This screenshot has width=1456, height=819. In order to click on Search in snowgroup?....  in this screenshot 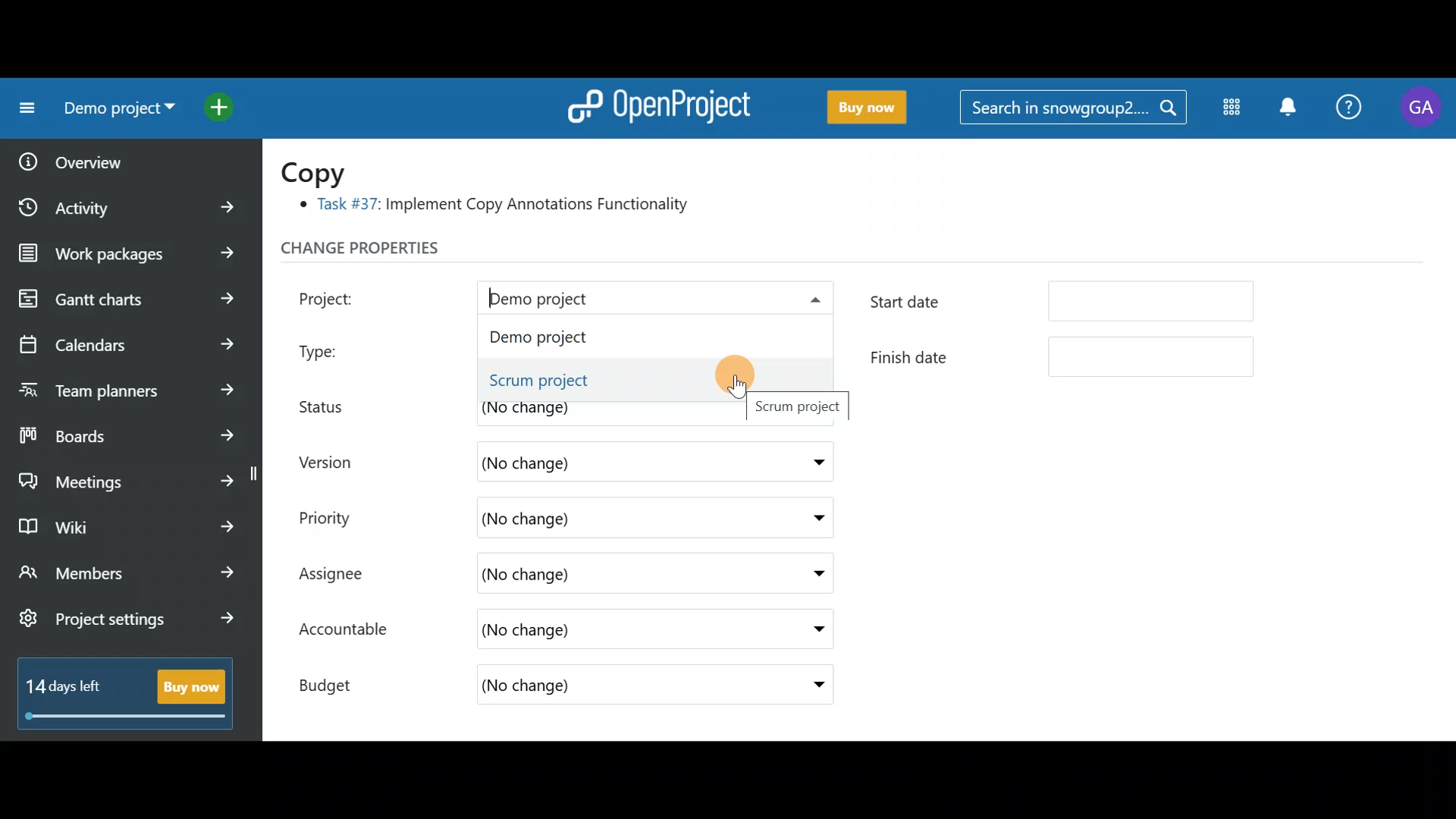, I will do `click(1075, 108)`.